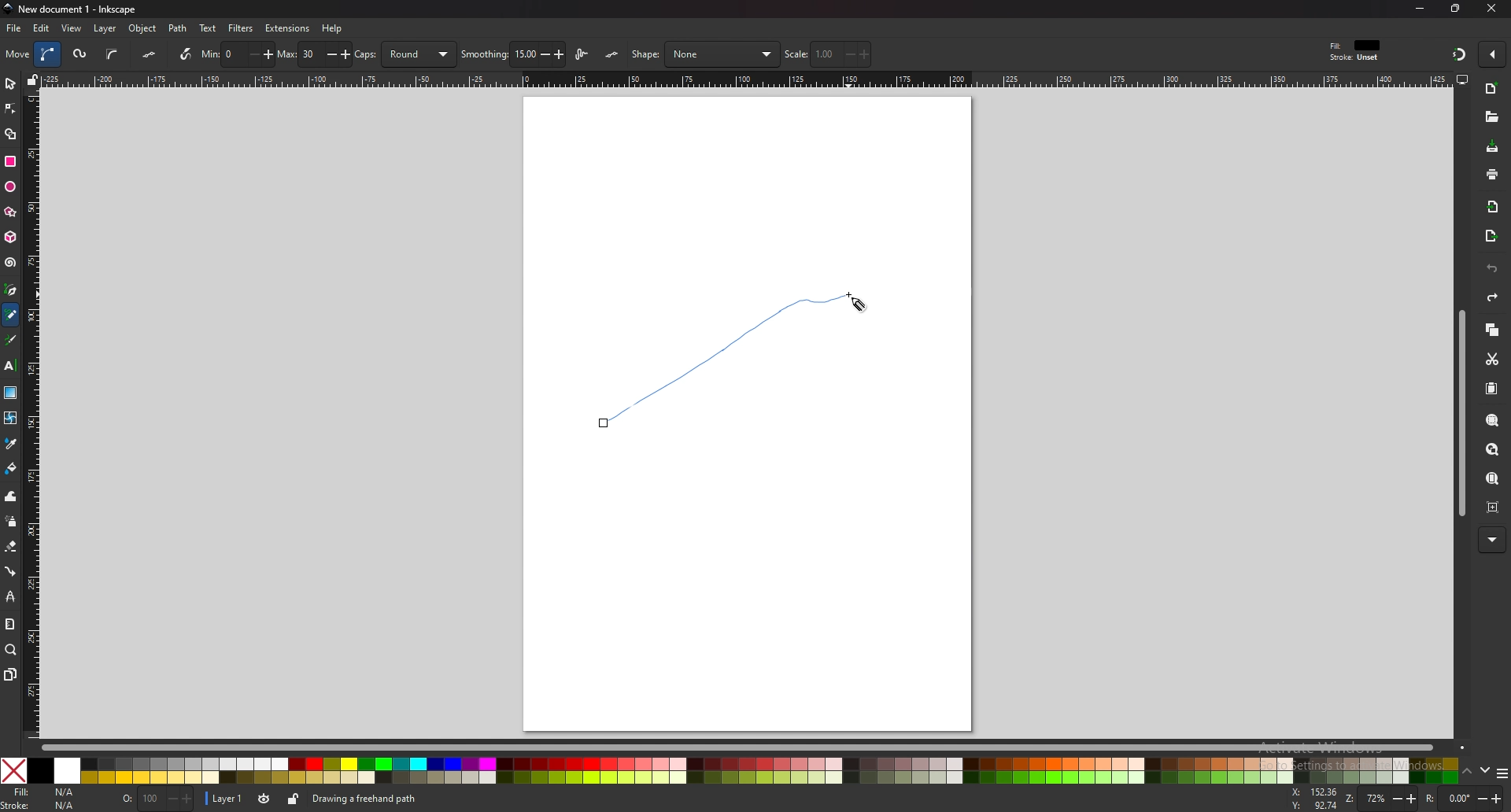 Image resolution: width=1511 pixels, height=812 pixels. What do you see at coordinates (181, 54) in the screenshot?
I see `use pressure input` at bounding box center [181, 54].